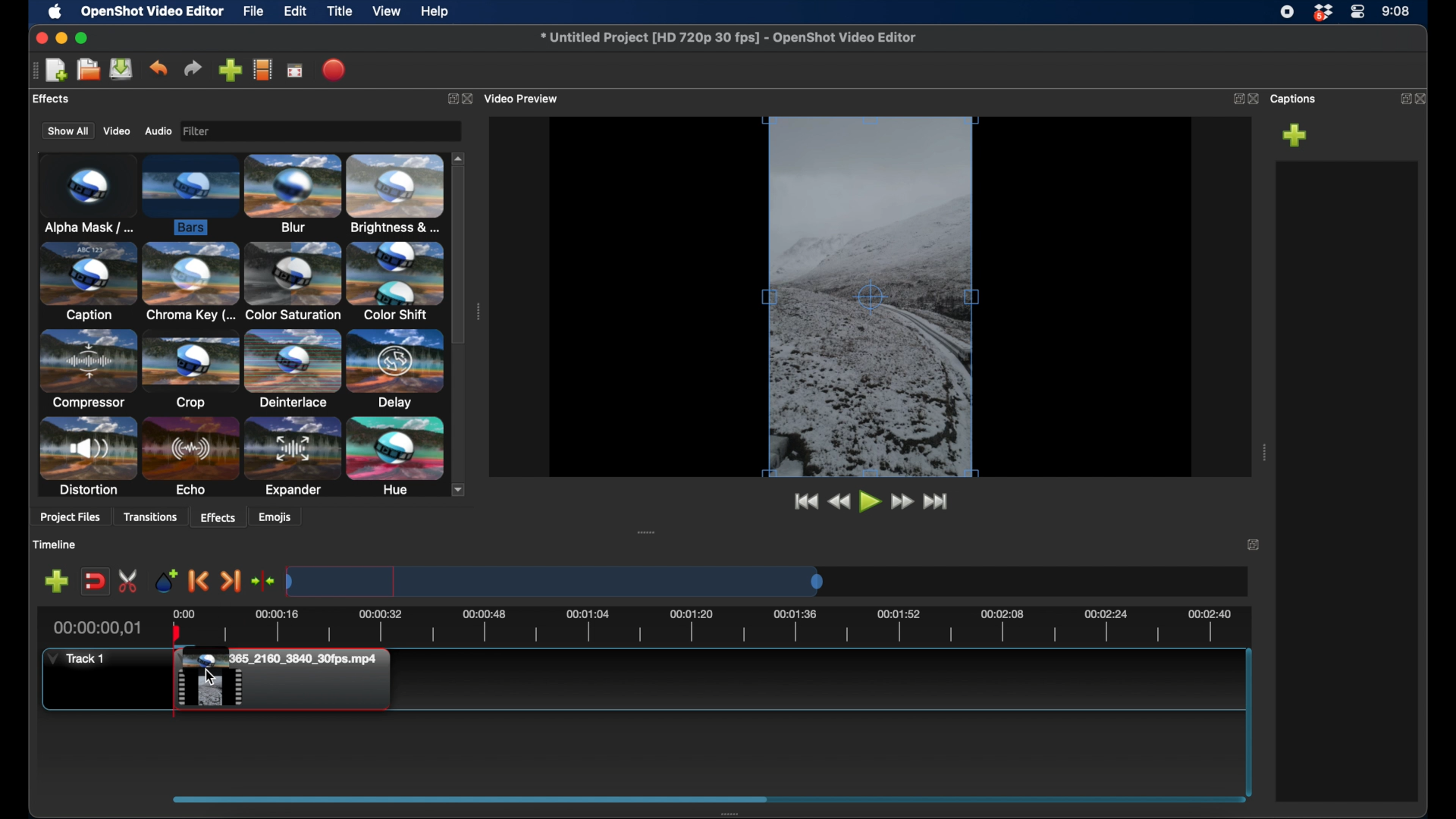 Image resolution: width=1456 pixels, height=819 pixels. What do you see at coordinates (937, 501) in the screenshot?
I see `fast forward` at bounding box center [937, 501].